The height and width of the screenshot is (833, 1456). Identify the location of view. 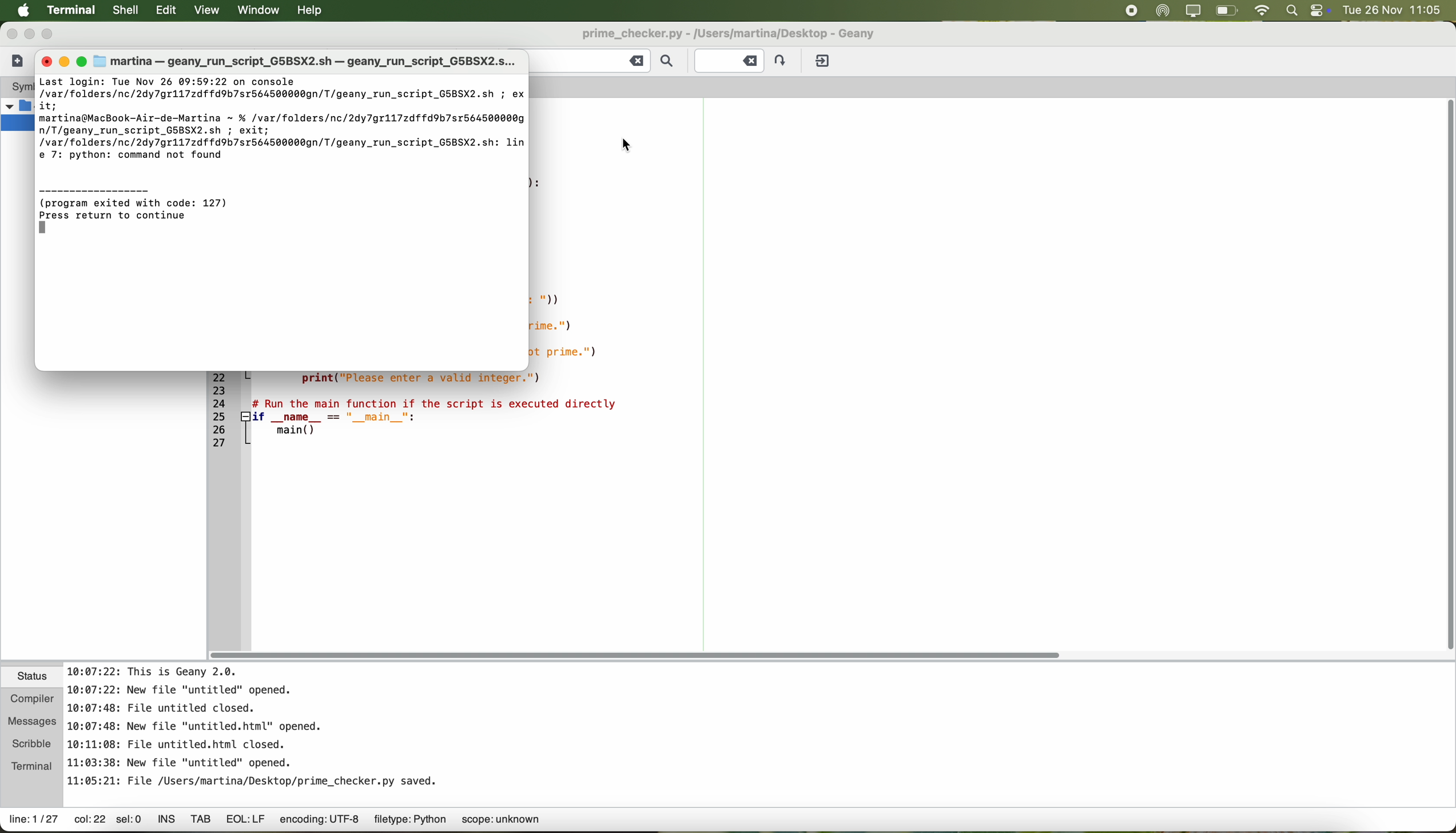
(208, 9).